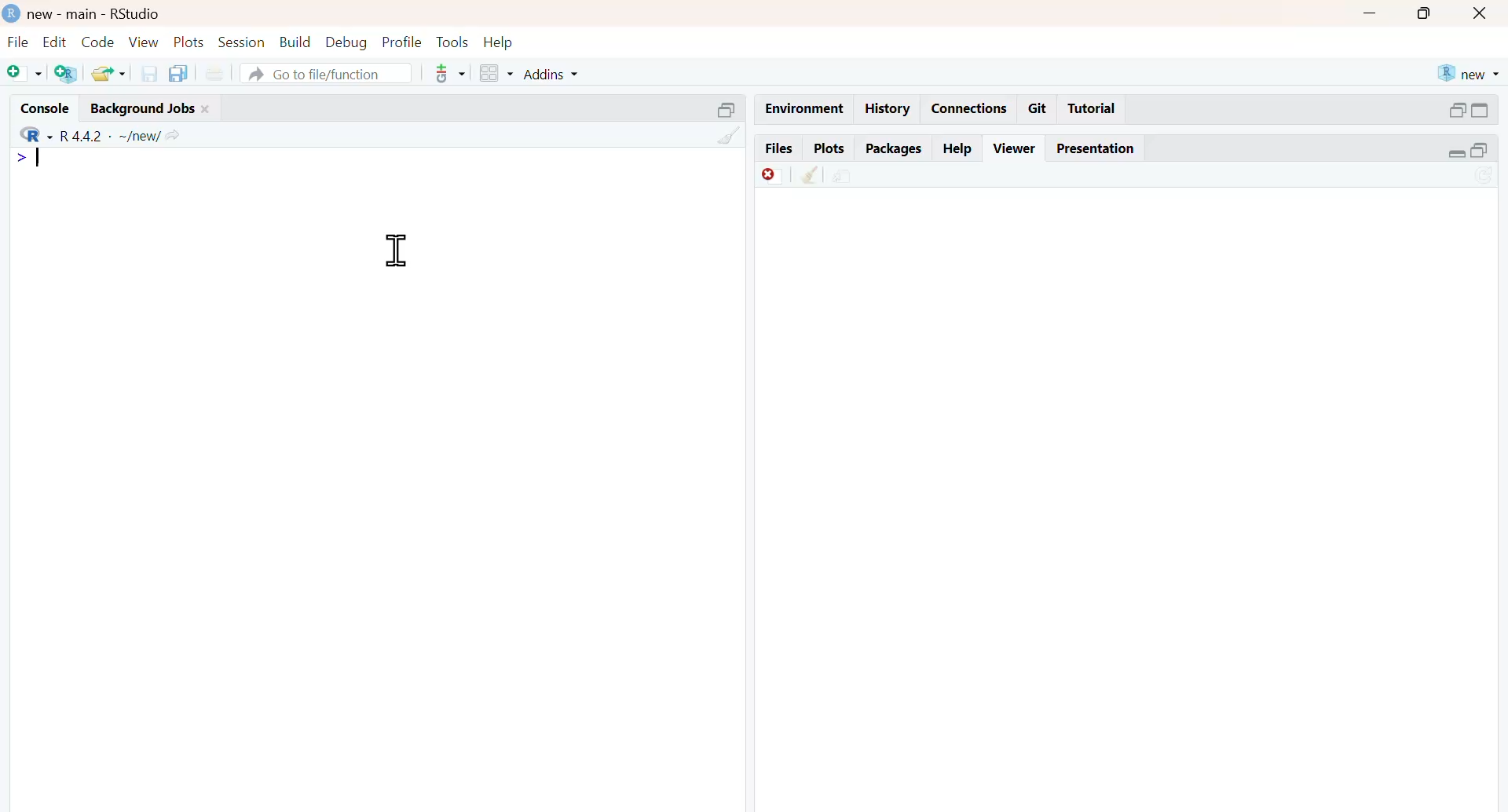  Describe the element at coordinates (207, 110) in the screenshot. I see `close` at that location.